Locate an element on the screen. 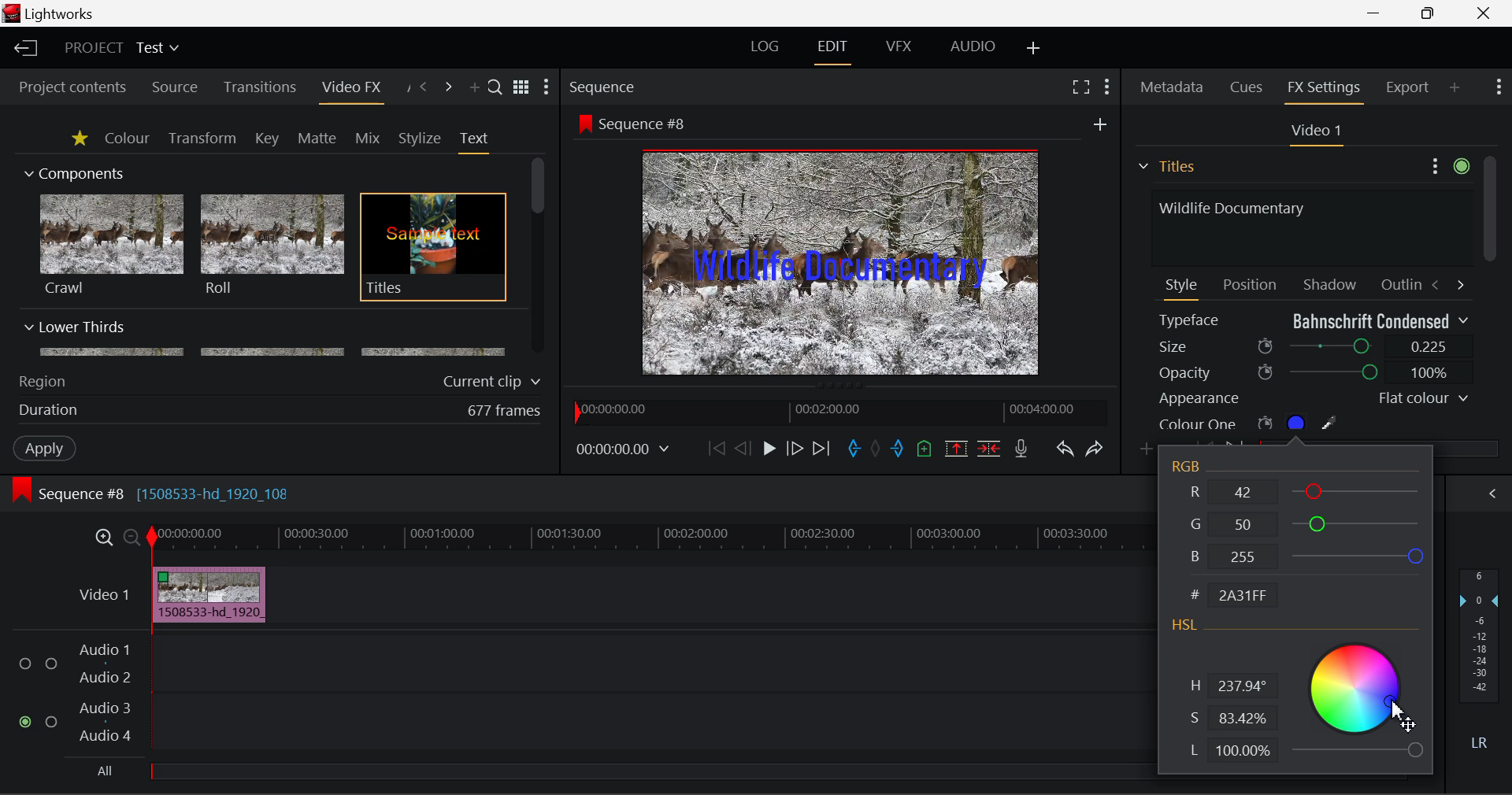 The width and height of the screenshot is (1512, 795). Toggle list and title view is located at coordinates (523, 87).